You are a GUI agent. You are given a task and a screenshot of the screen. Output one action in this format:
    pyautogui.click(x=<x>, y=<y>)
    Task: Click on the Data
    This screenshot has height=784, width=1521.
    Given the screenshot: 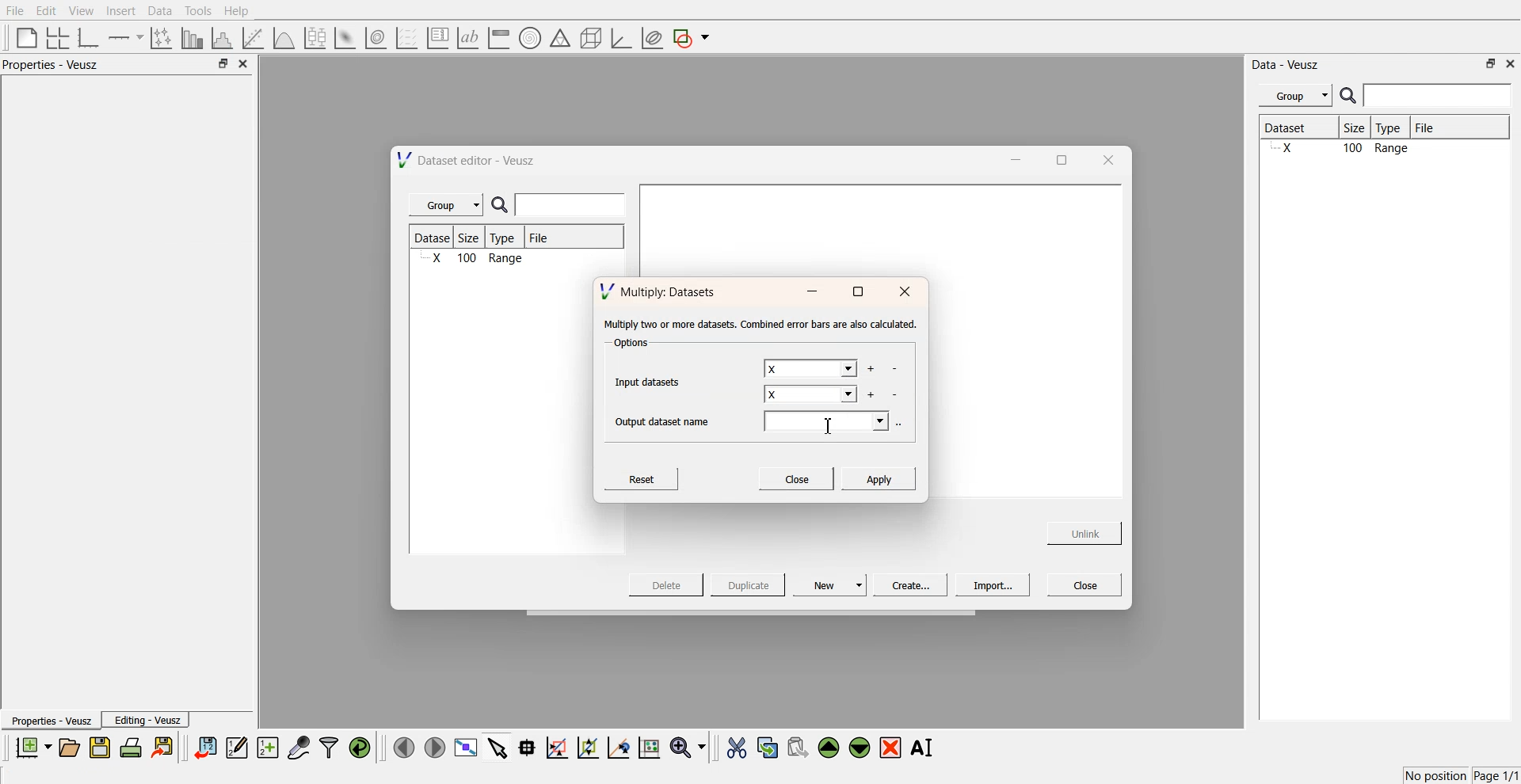 What is the action you would take?
    pyautogui.click(x=159, y=11)
    